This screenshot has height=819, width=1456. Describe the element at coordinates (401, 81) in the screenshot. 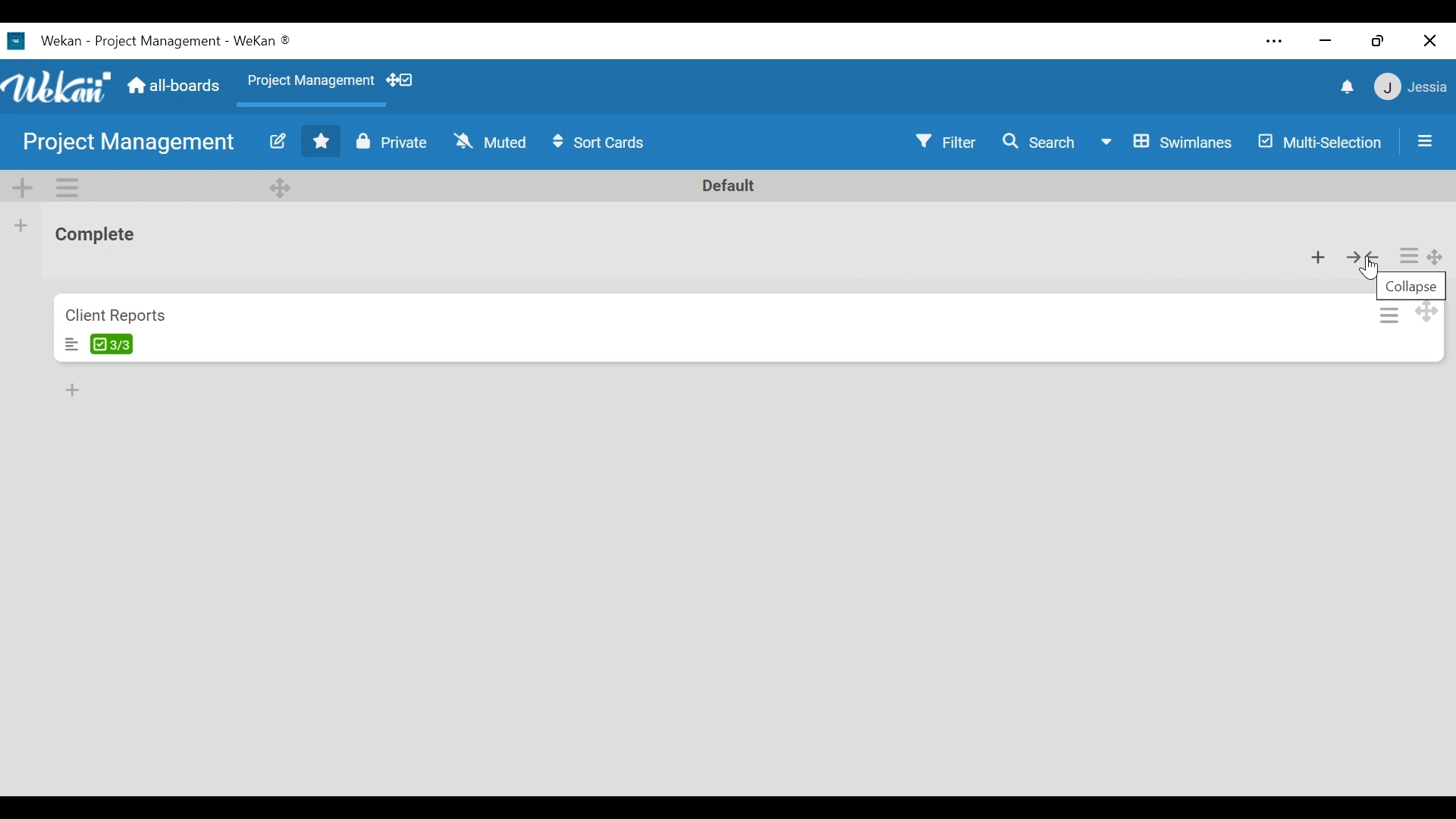

I see `Show/Hide Desktop drag handle` at that location.